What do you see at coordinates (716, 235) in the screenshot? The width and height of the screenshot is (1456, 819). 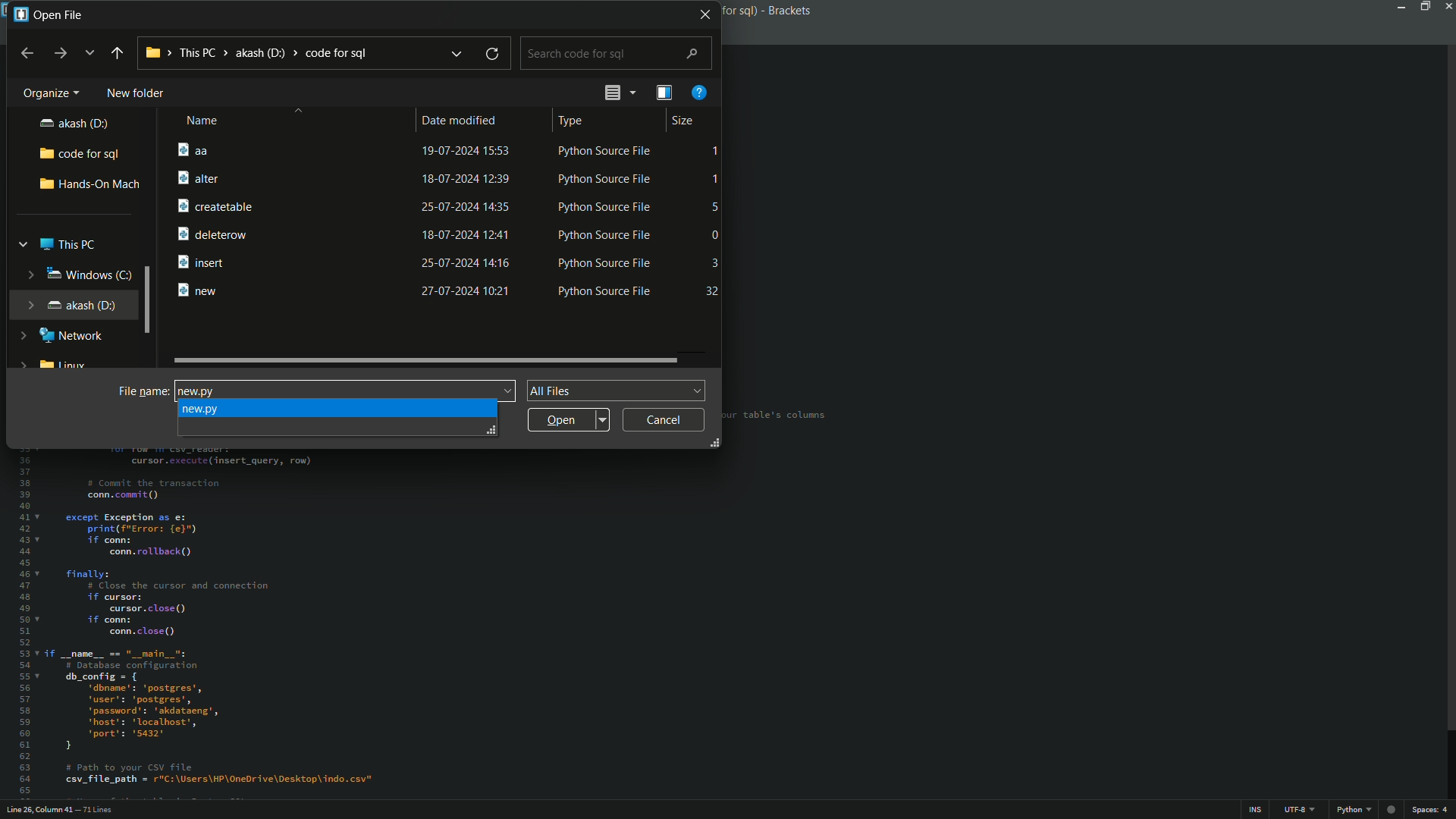 I see `0` at bounding box center [716, 235].